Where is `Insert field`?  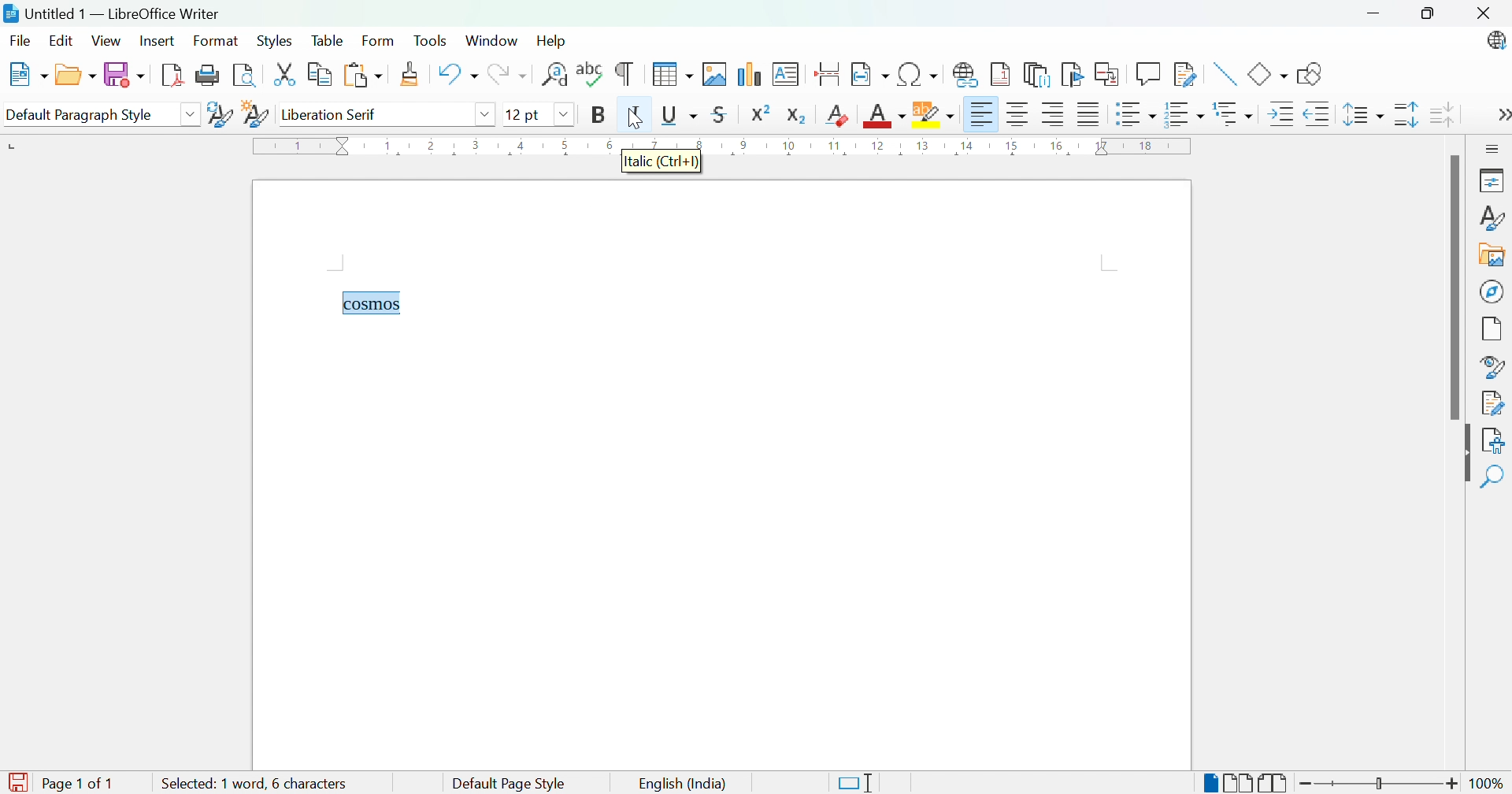
Insert field is located at coordinates (870, 72).